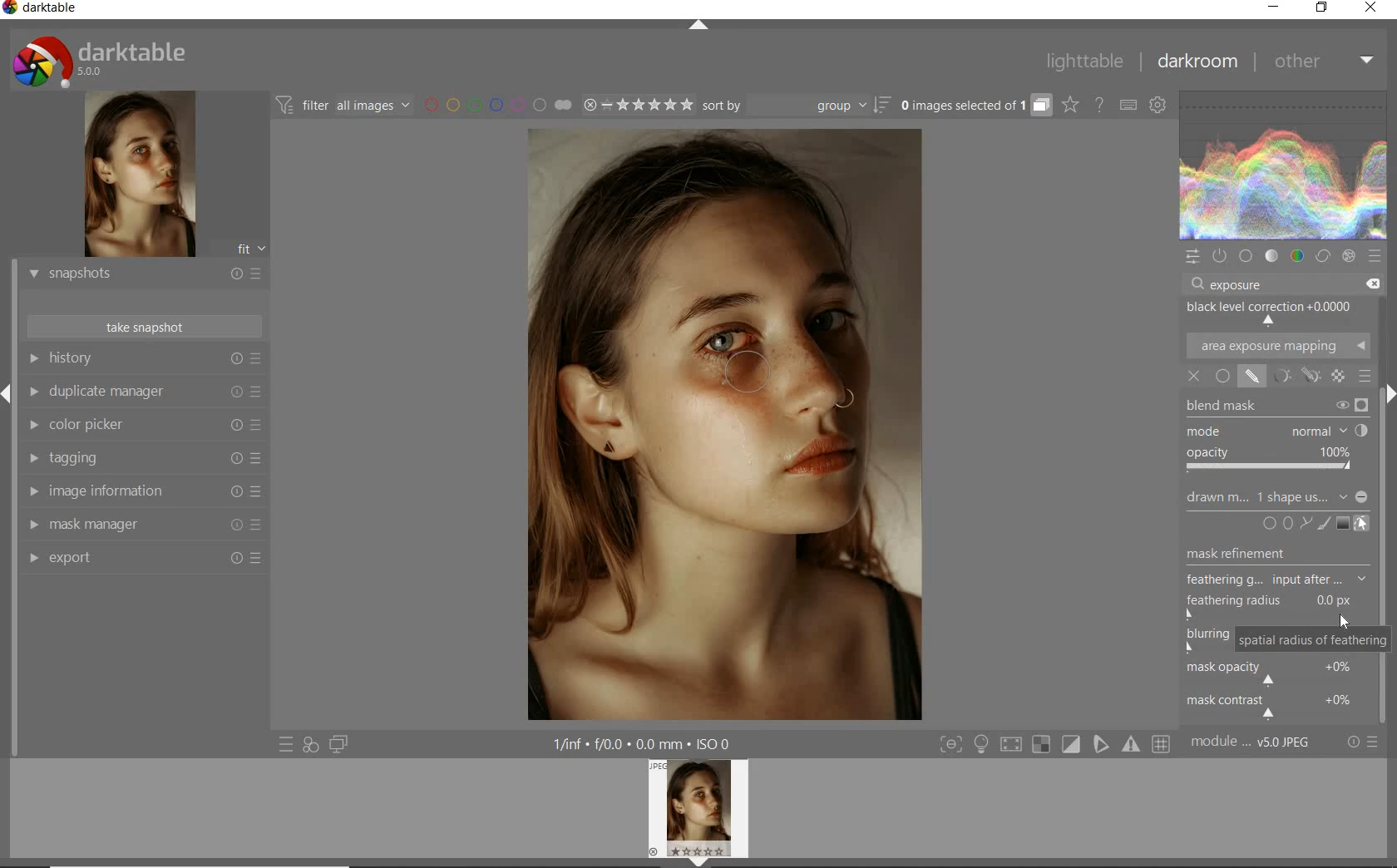 This screenshot has width=1397, height=868. Describe the element at coordinates (143, 456) in the screenshot. I see `tagging` at that location.